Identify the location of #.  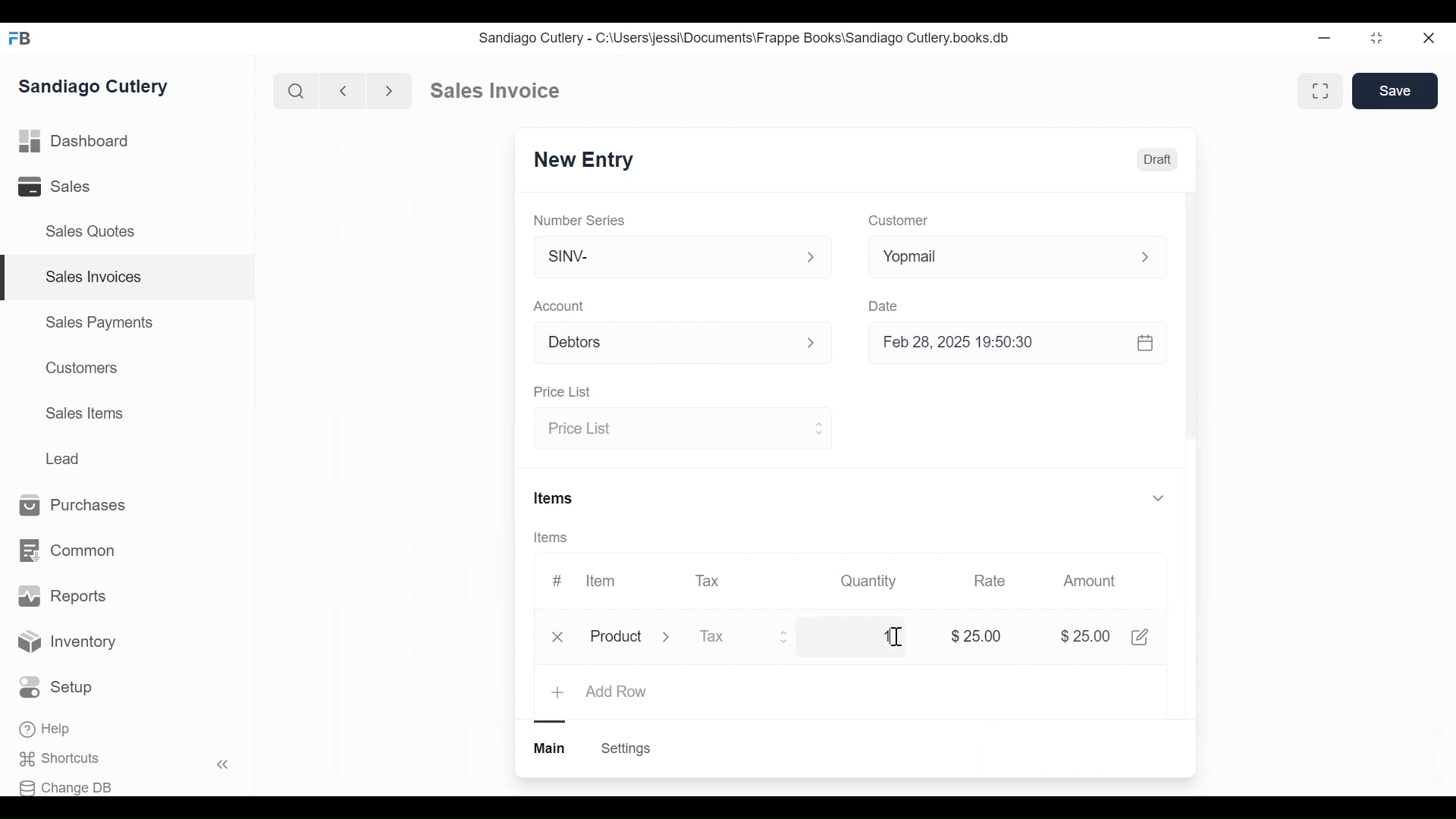
(557, 579).